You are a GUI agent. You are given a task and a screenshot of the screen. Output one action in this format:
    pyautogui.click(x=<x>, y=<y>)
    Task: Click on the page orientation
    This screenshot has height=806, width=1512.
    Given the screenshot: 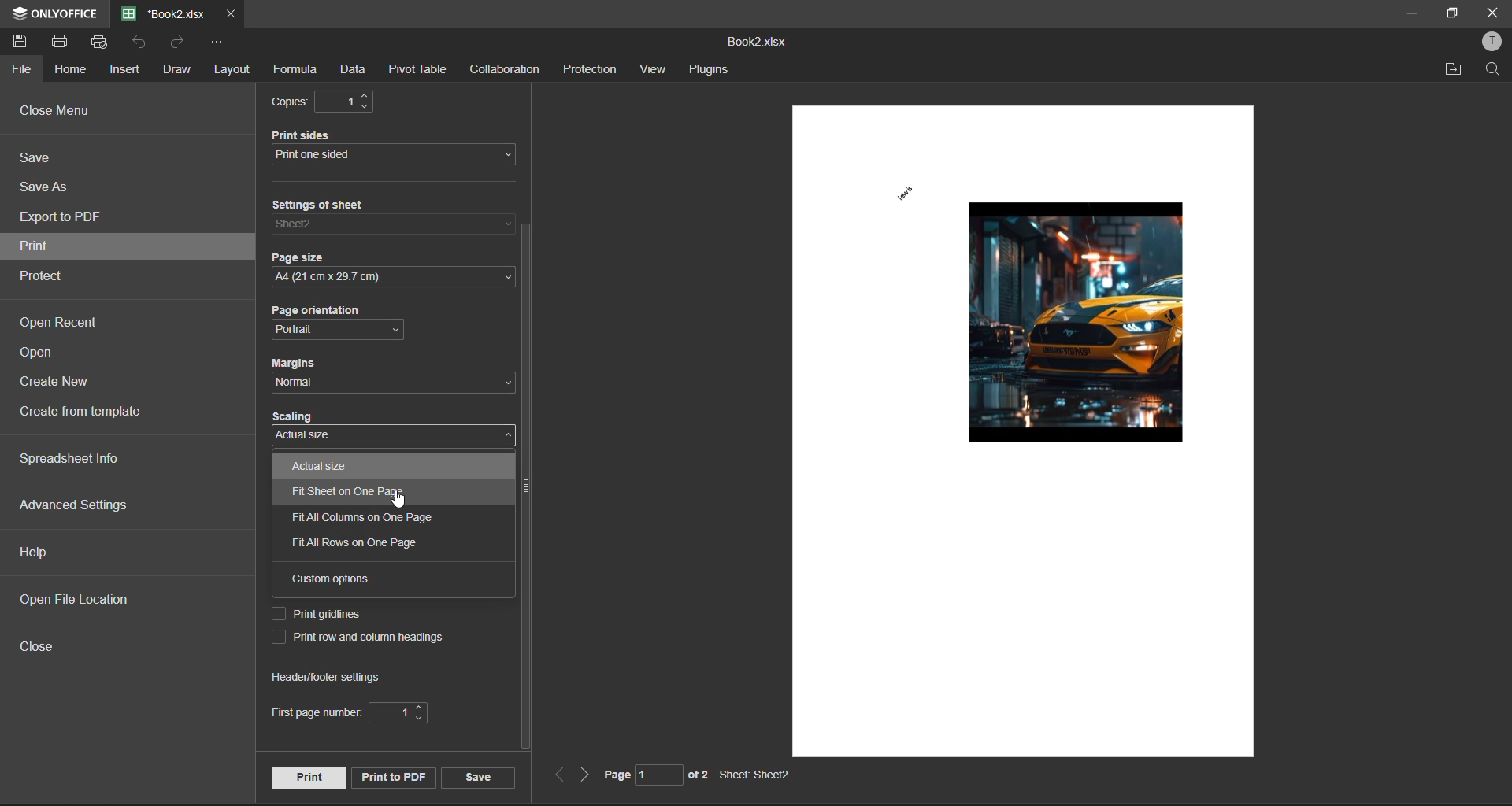 What is the action you would take?
    pyautogui.click(x=328, y=312)
    